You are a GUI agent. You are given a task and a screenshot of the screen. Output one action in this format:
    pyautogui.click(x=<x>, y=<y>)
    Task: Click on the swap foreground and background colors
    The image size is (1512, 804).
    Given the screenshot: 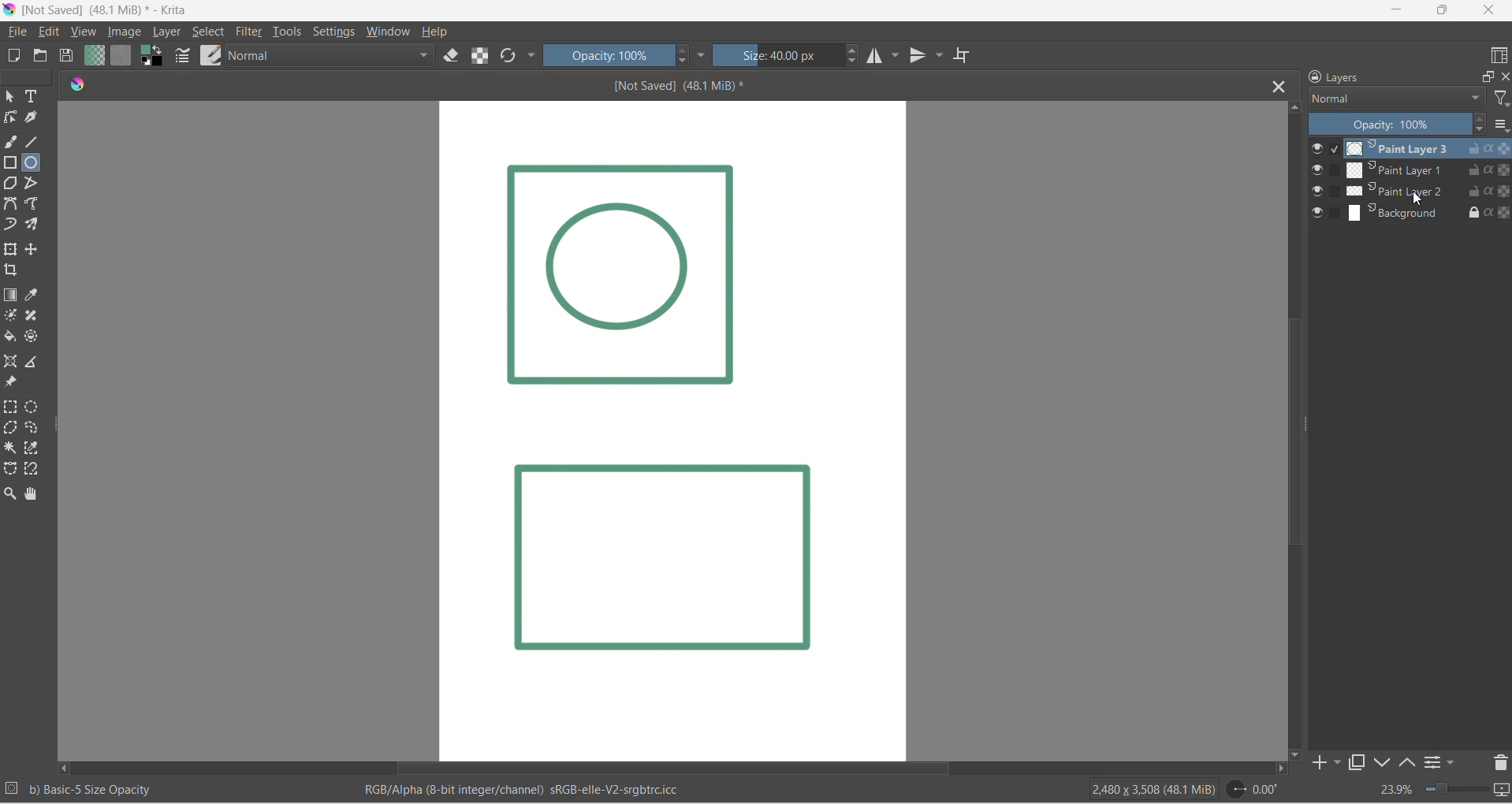 What is the action you would take?
    pyautogui.click(x=153, y=56)
    